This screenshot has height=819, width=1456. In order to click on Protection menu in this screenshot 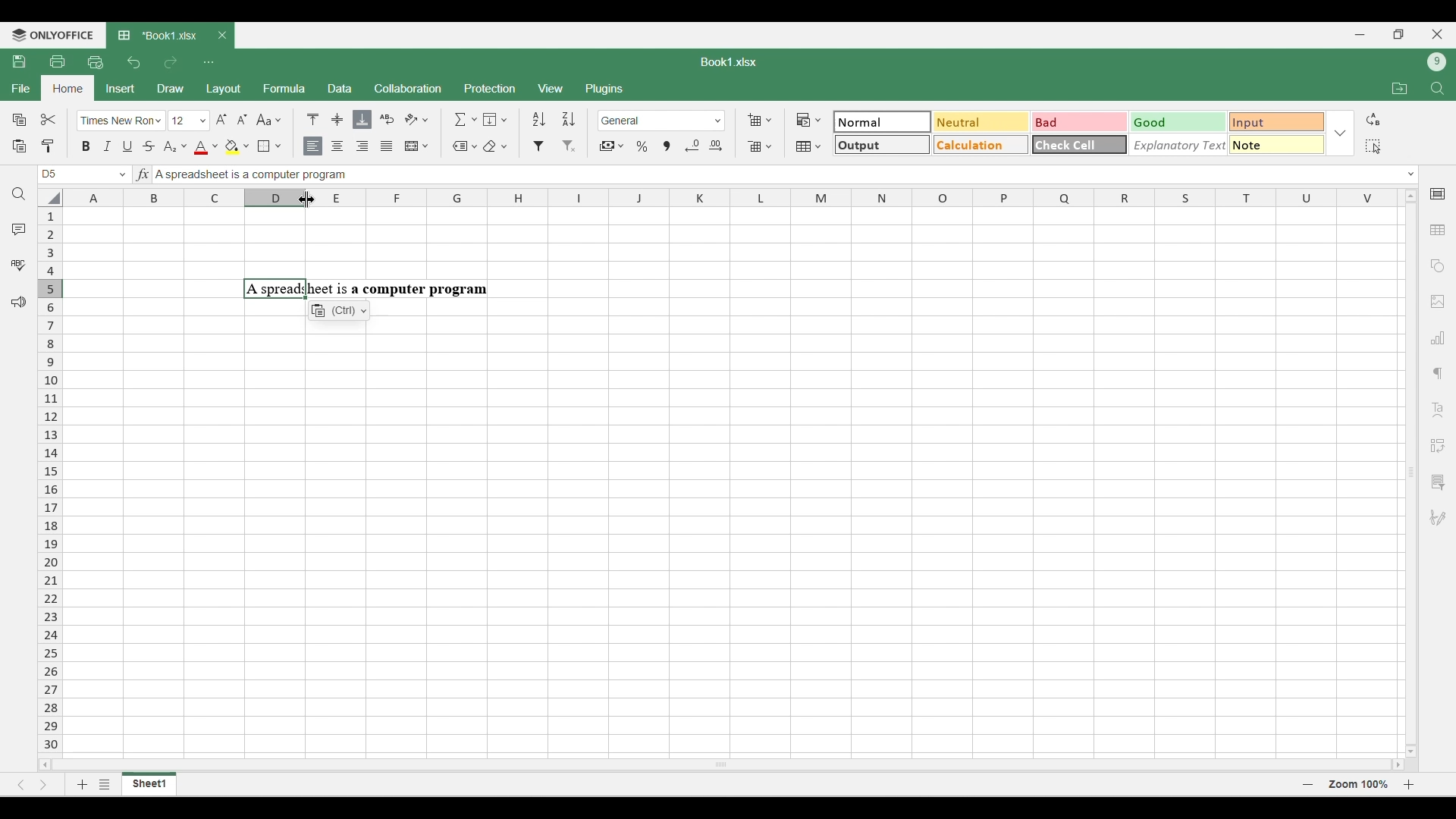, I will do `click(489, 88)`.